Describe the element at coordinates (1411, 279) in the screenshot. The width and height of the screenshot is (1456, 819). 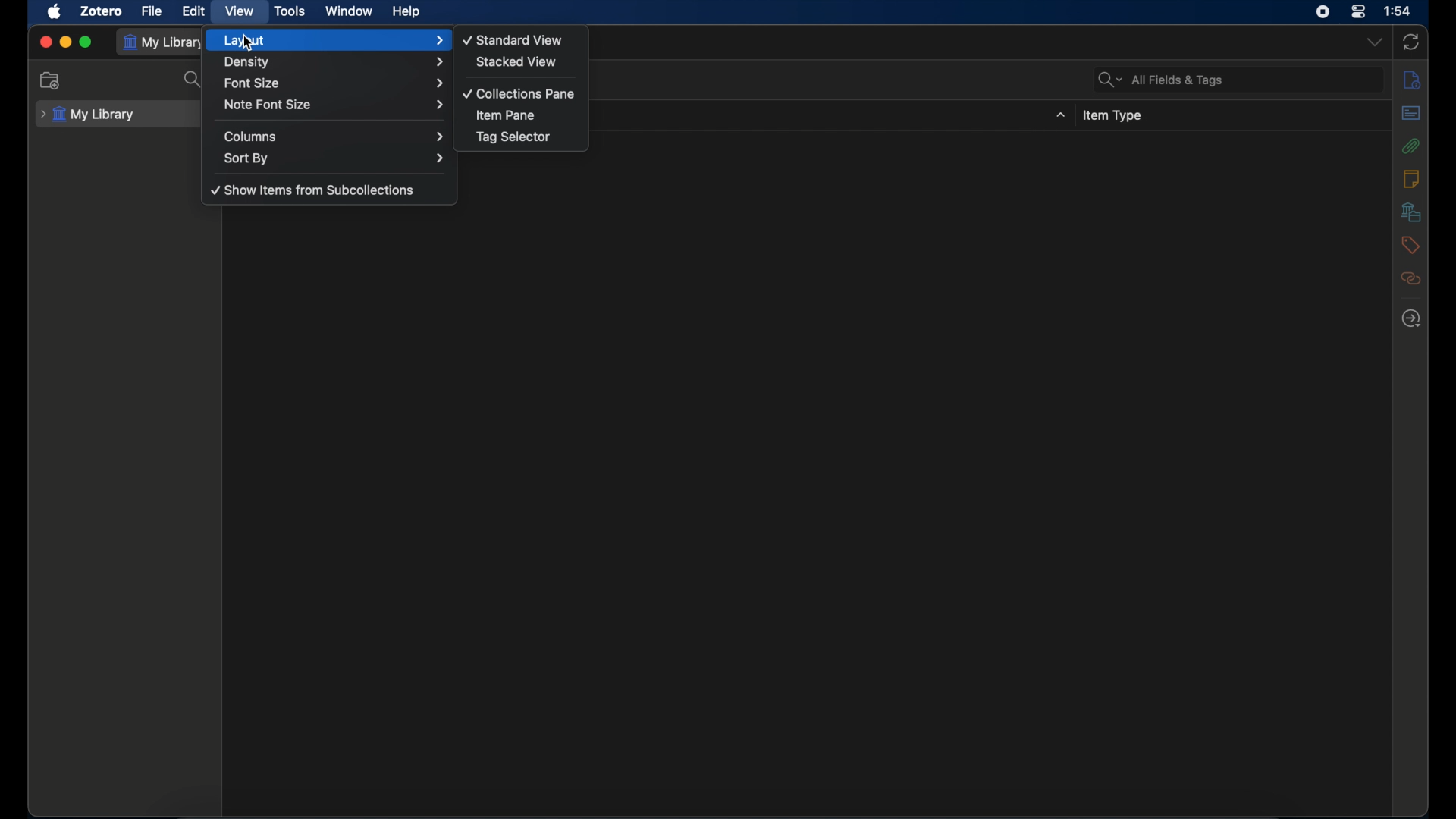
I see `related` at that location.